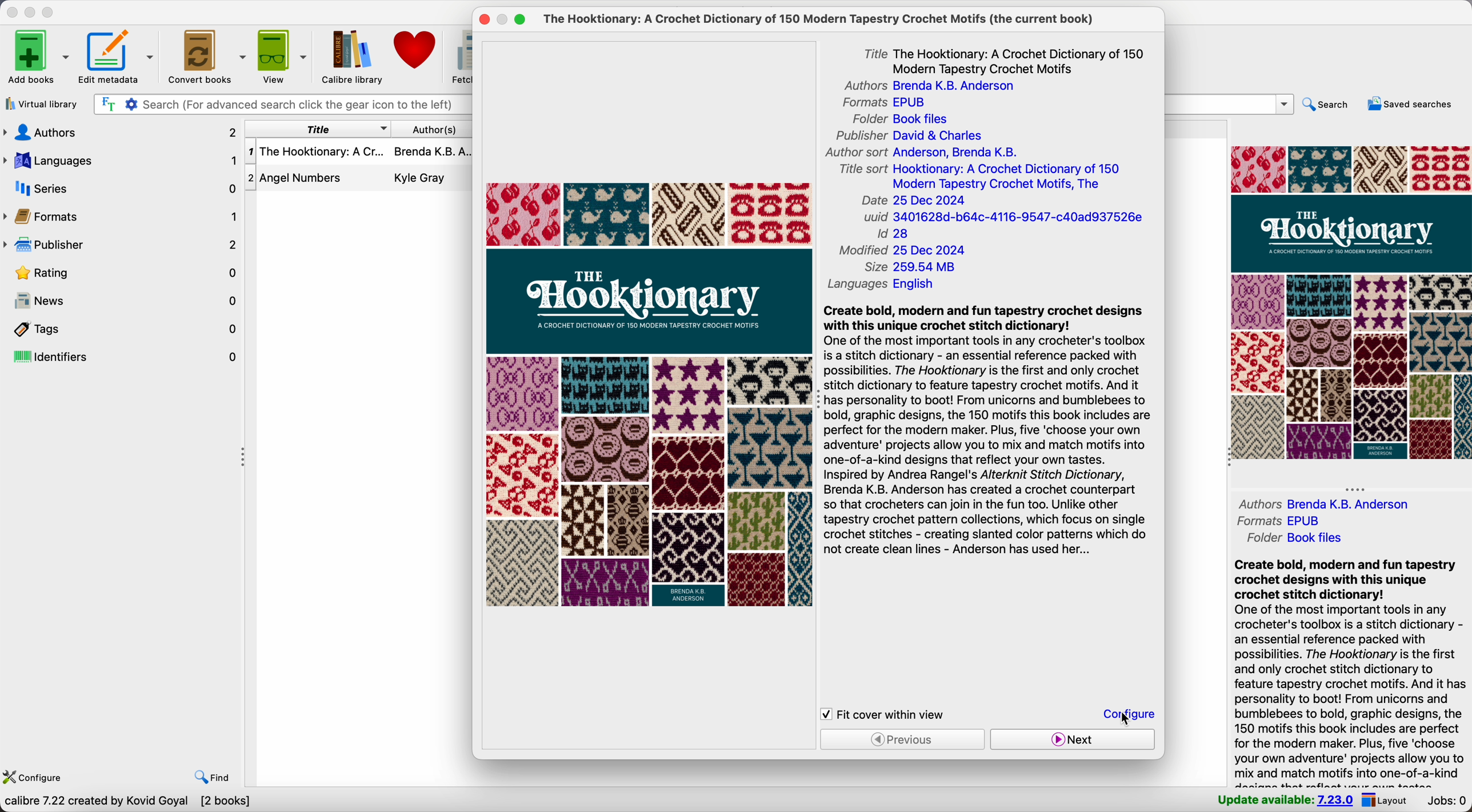 The image size is (1472, 812). Describe the element at coordinates (1071, 739) in the screenshot. I see `next` at that location.